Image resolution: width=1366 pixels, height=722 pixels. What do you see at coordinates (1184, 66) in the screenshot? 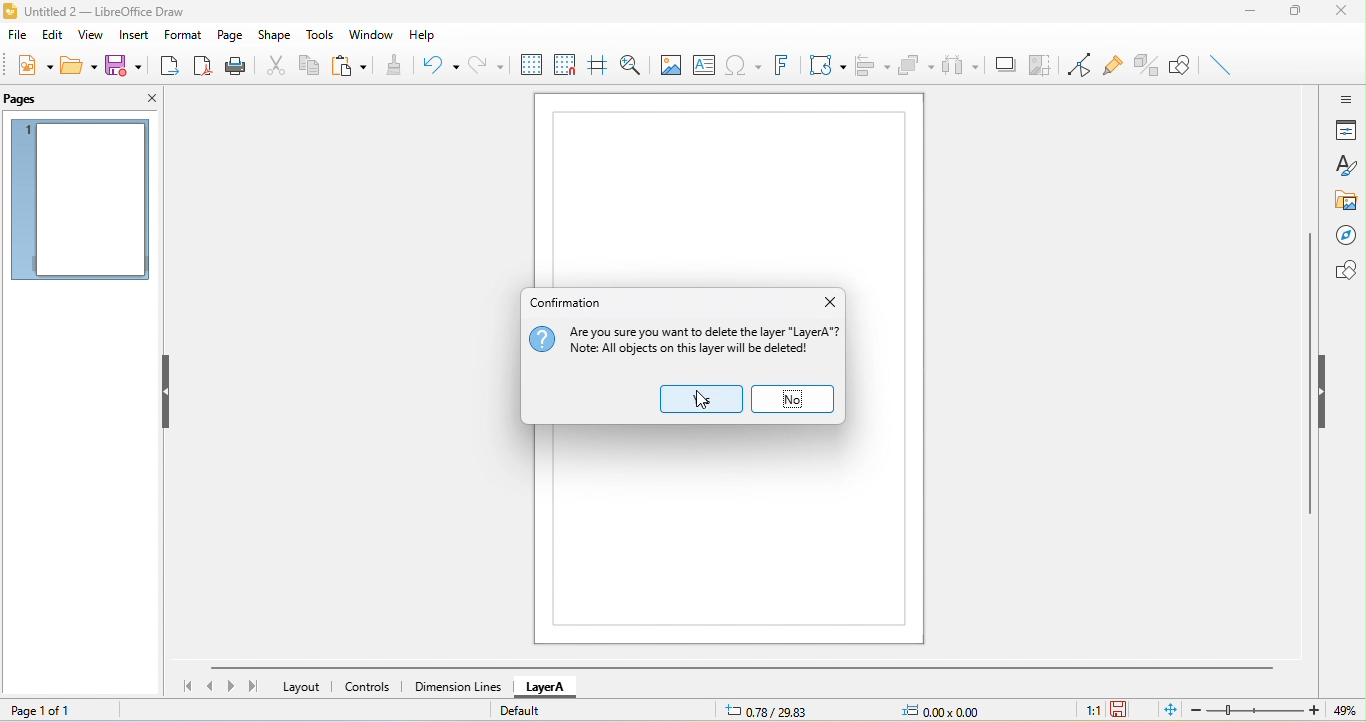
I see `show draw function` at bounding box center [1184, 66].